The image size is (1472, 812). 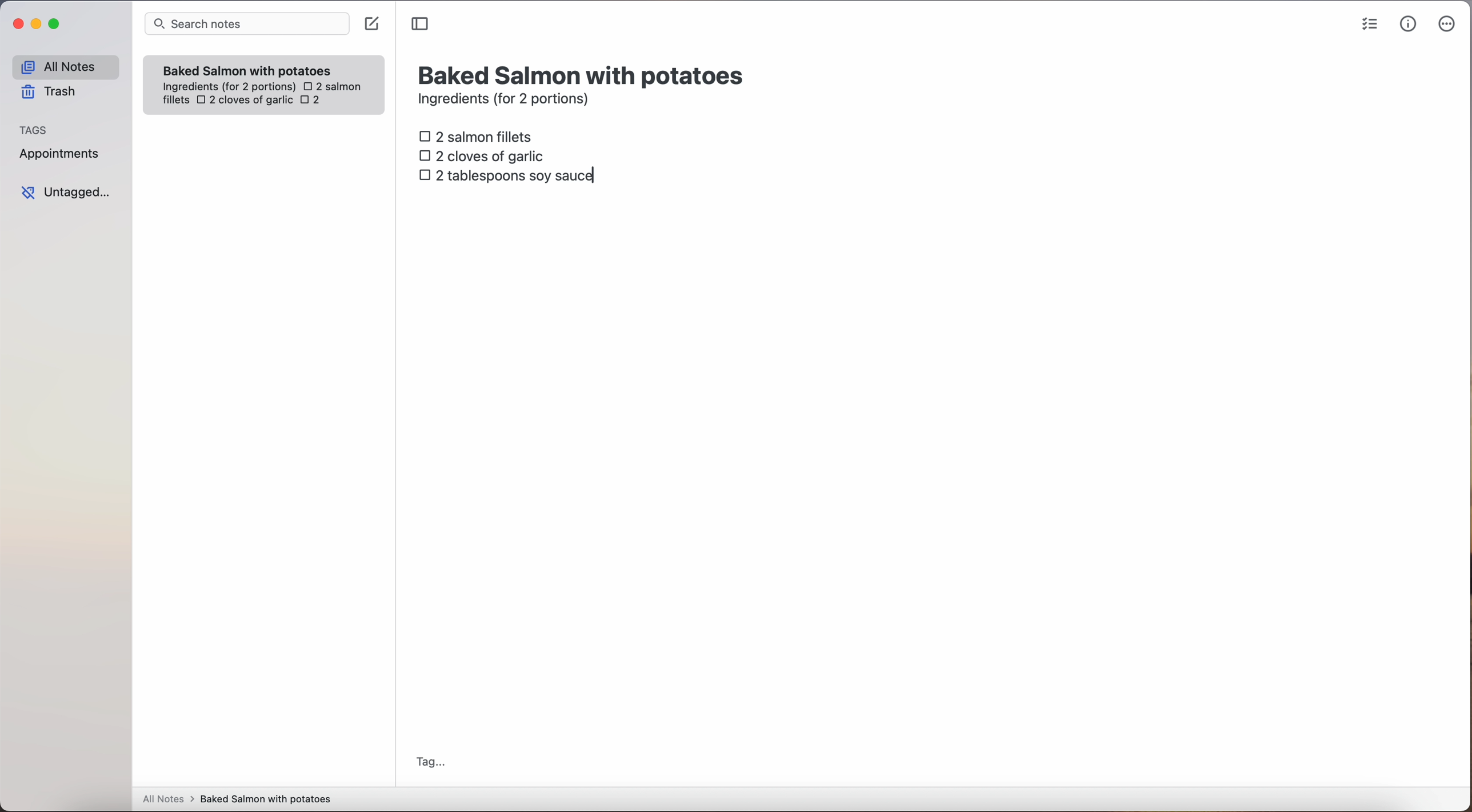 I want to click on 2 cloves of garlic, so click(x=485, y=154).